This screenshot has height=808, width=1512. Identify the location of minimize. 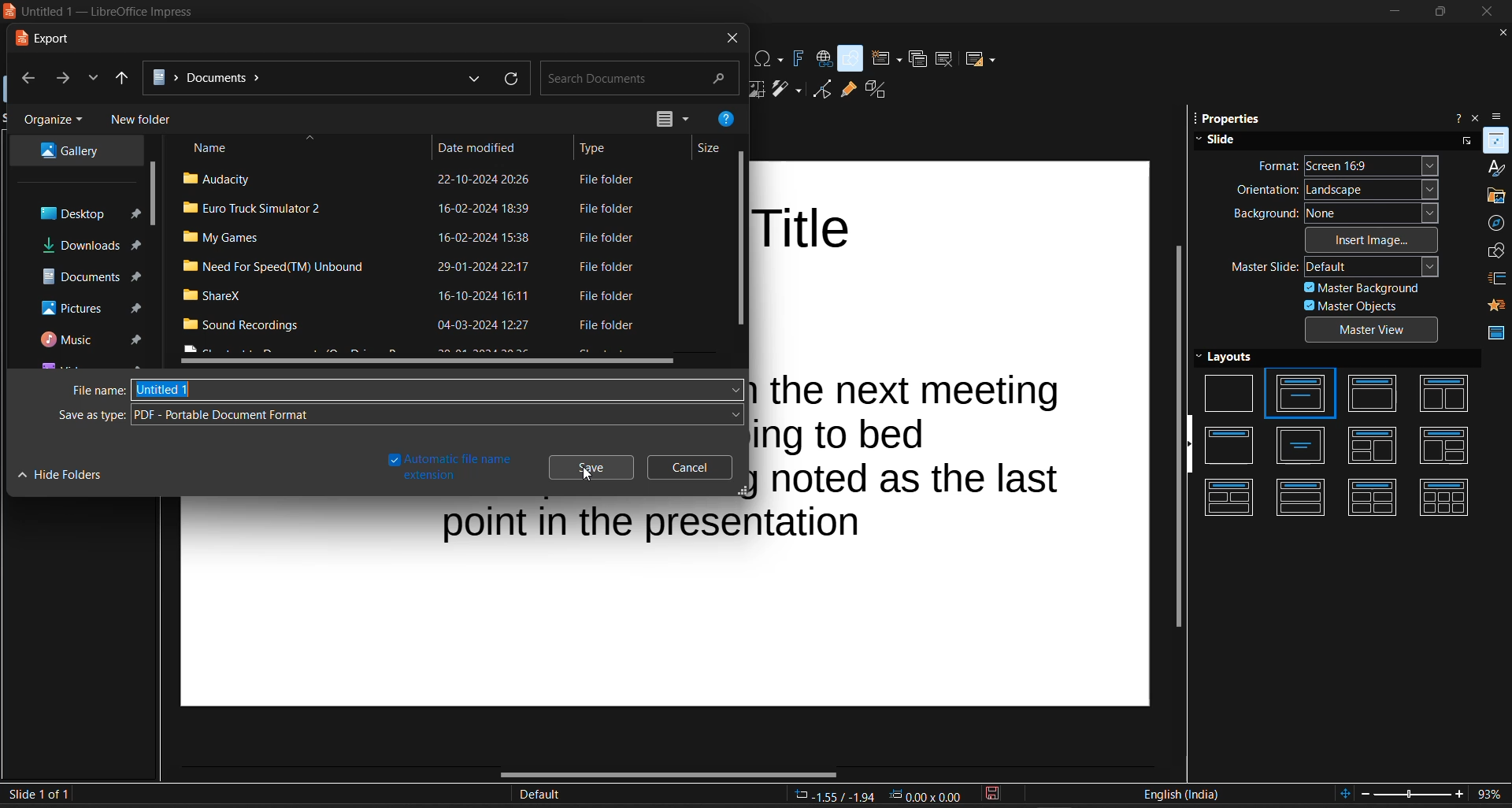
(1393, 12).